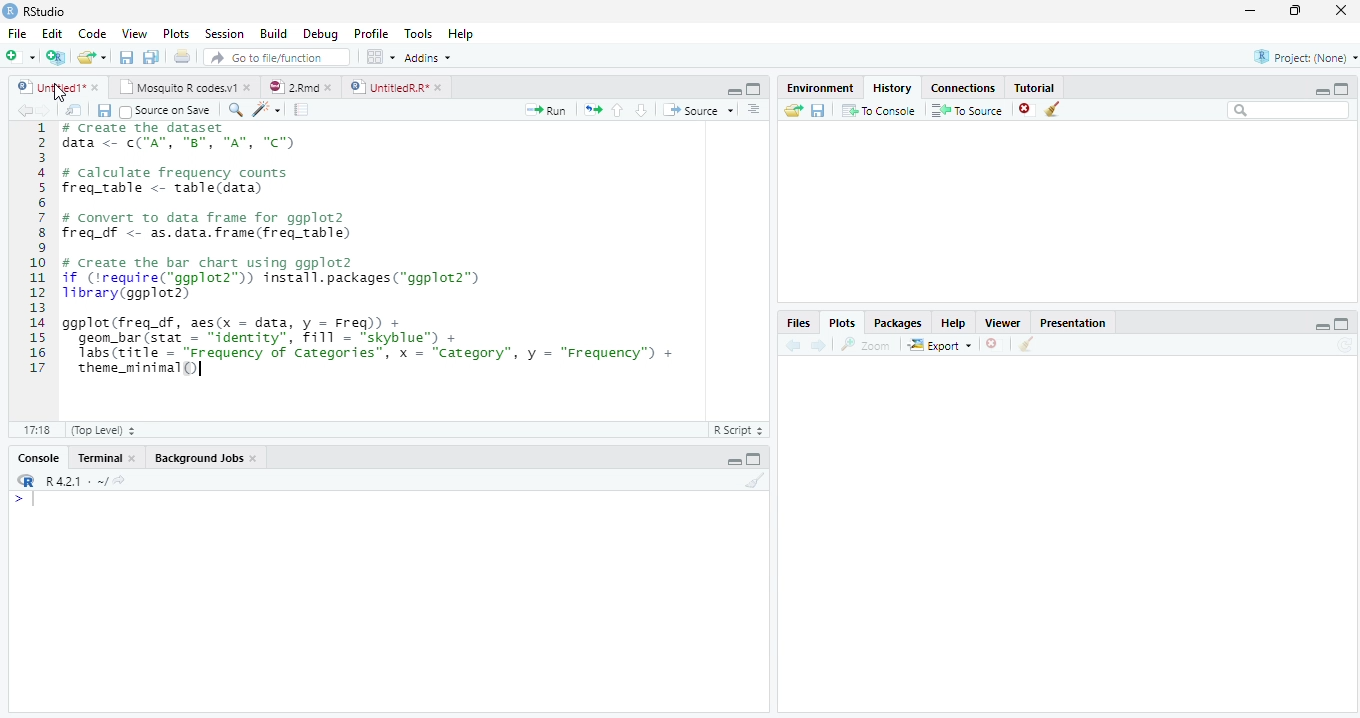 The width and height of the screenshot is (1360, 718). What do you see at coordinates (795, 345) in the screenshot?
I see `Back` at bounding box center [795, 345].